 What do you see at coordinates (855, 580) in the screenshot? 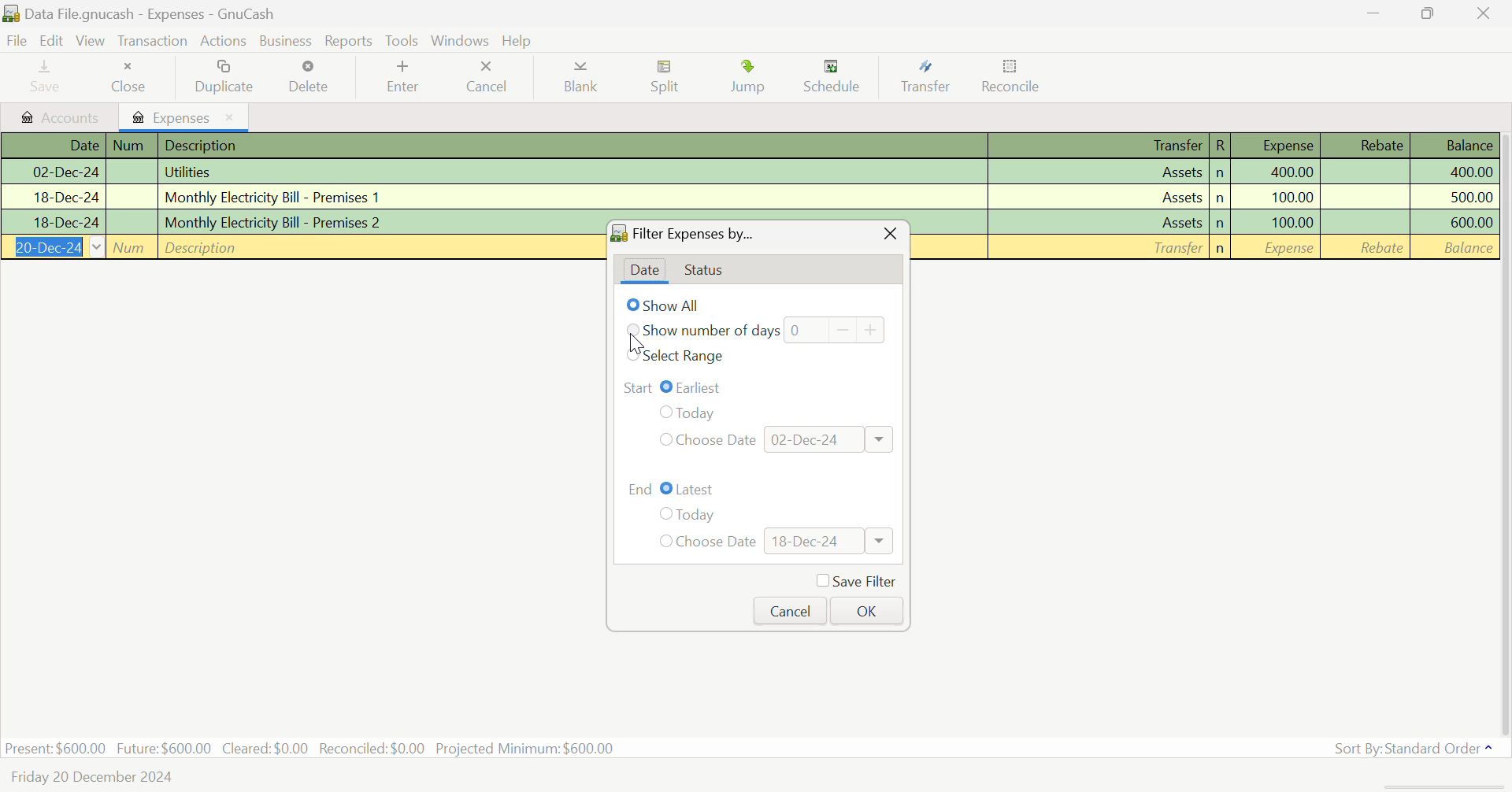
I see `Save Filter Checkbox` at bounding box center [855, 580].